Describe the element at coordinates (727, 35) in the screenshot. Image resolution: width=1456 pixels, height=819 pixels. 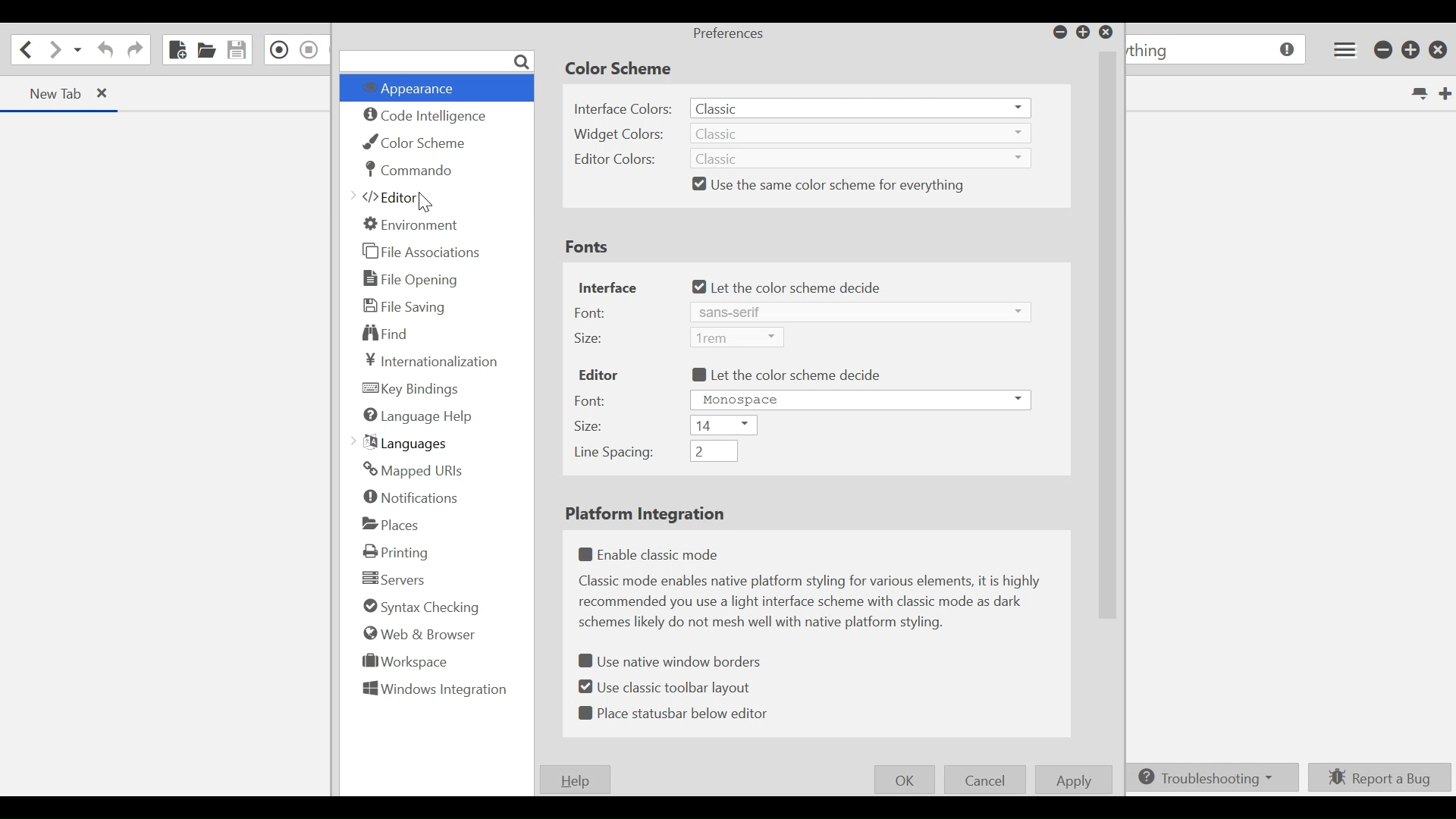
I see `Preferences` at that location.